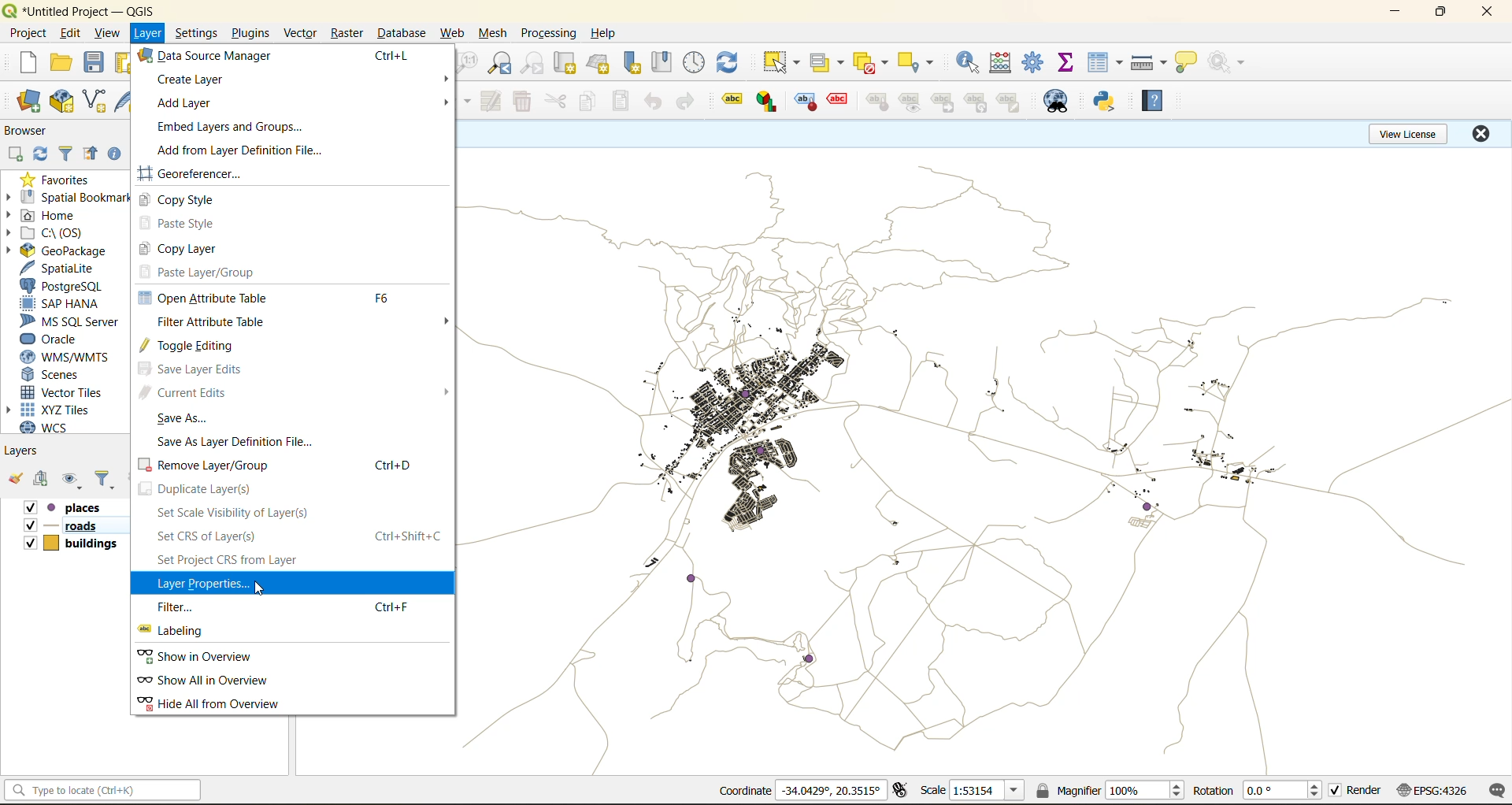 The height and width of the screenshot is (805, 1512). I want to click on render, so click(1355, 792).